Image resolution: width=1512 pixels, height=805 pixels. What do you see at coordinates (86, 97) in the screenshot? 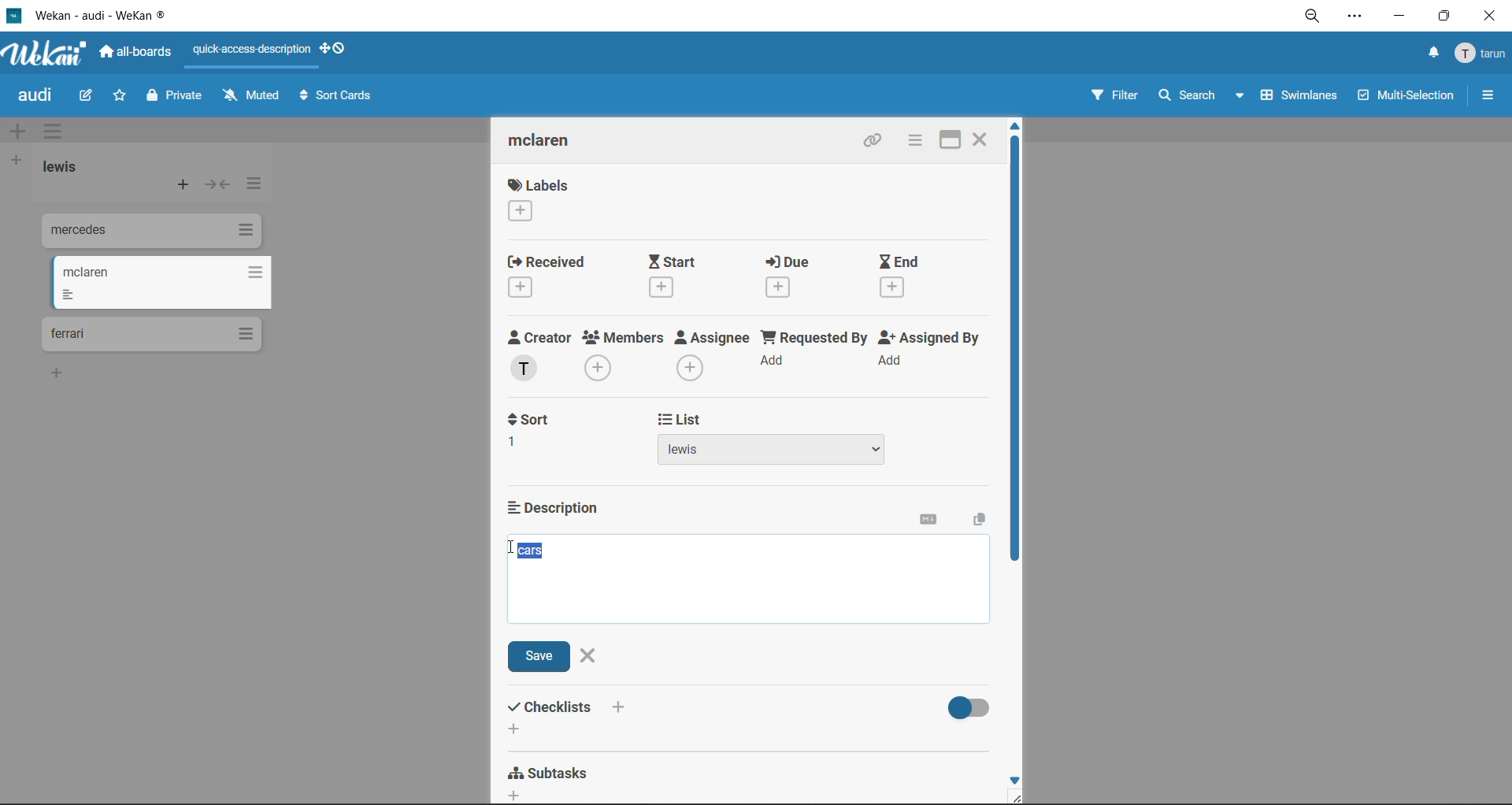
I see `edit` at bounding box center [86, 97].